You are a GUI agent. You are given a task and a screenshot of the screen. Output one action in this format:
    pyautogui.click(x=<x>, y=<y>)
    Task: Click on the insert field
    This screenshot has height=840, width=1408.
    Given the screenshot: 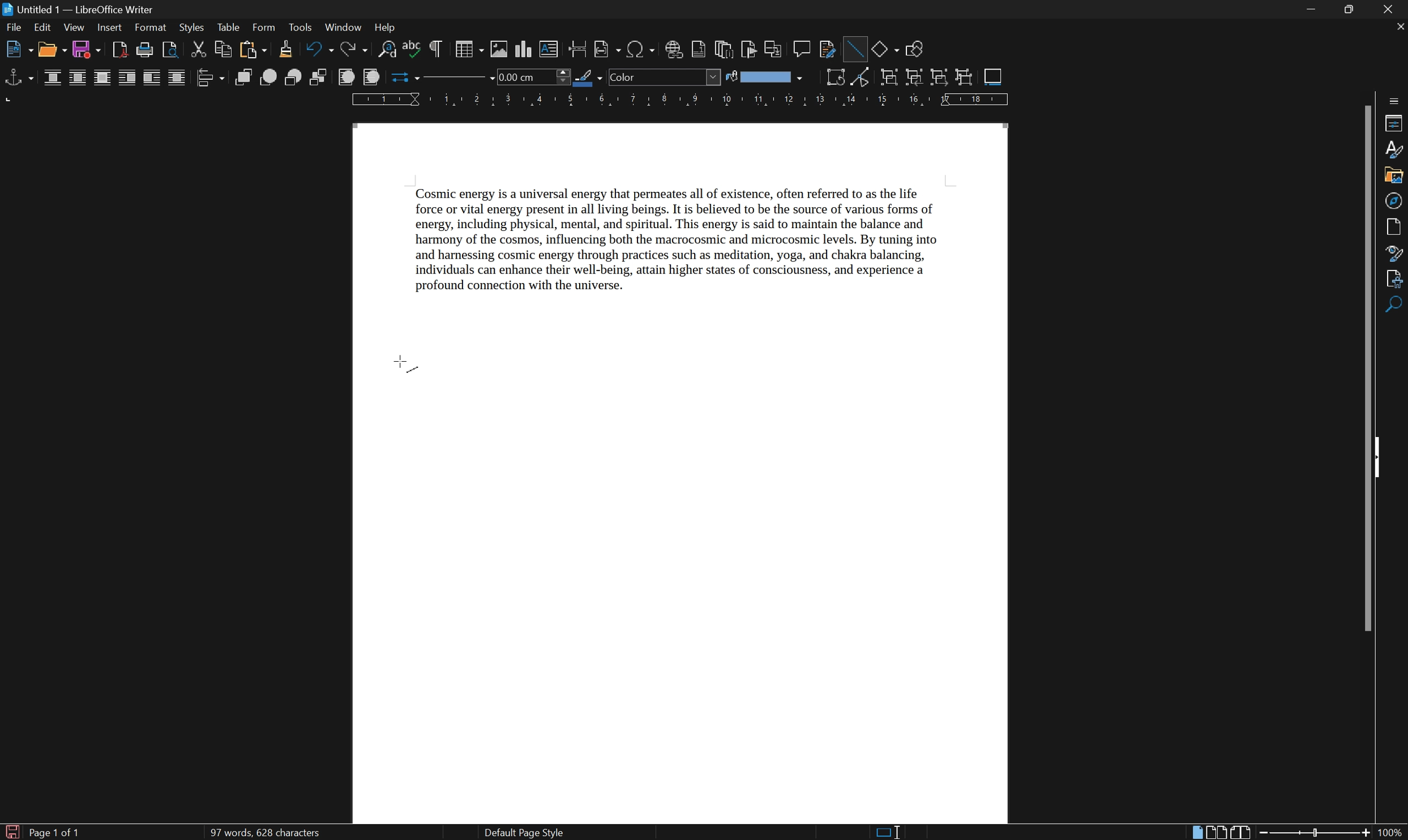 What is the action you would take?
    pyautogui.click(x=606, y=50)
    